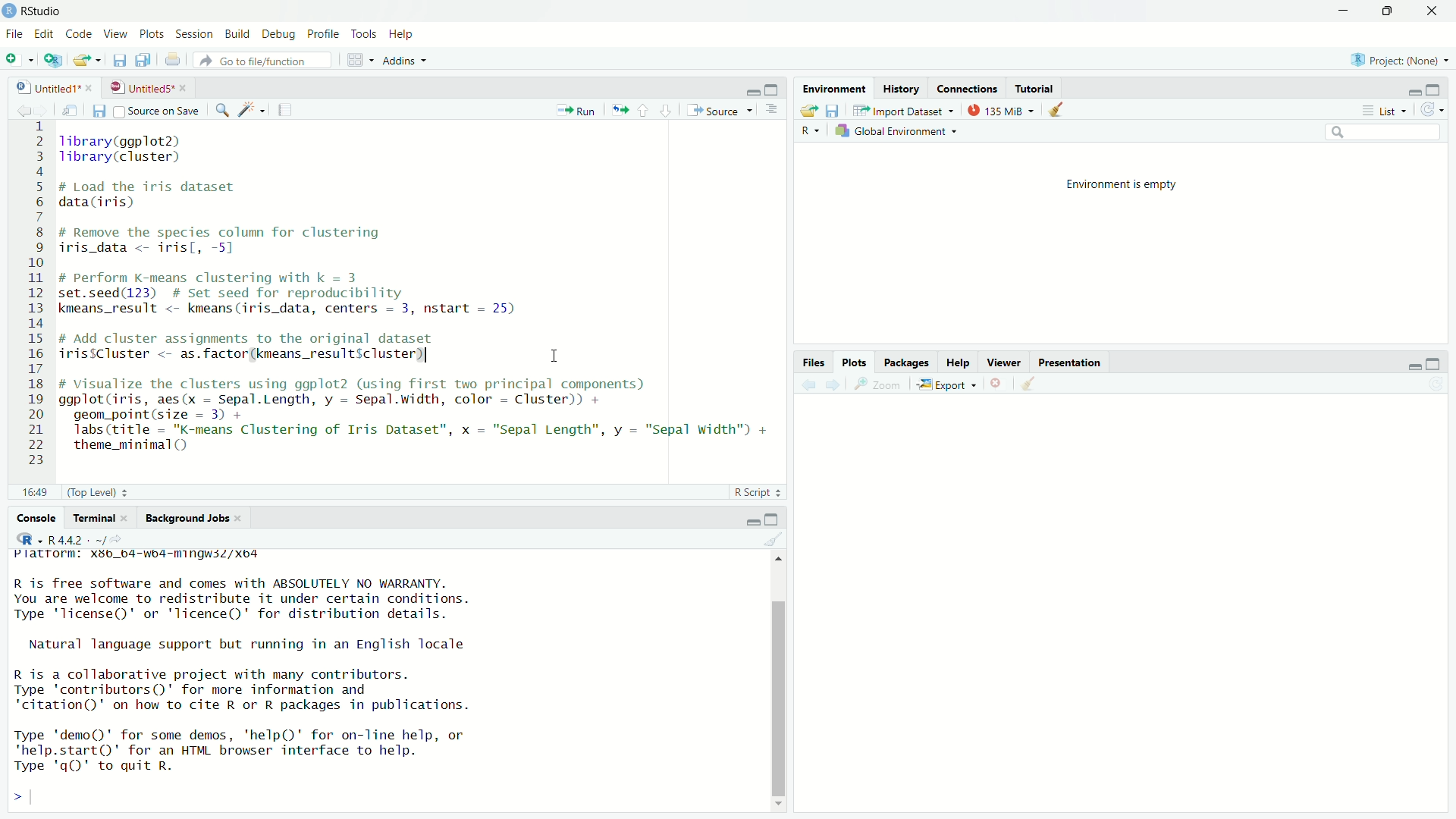 The image size is (1456, 819). Describe the element at coordinates (406, 34) in the screenshot. I see `help` at that location.